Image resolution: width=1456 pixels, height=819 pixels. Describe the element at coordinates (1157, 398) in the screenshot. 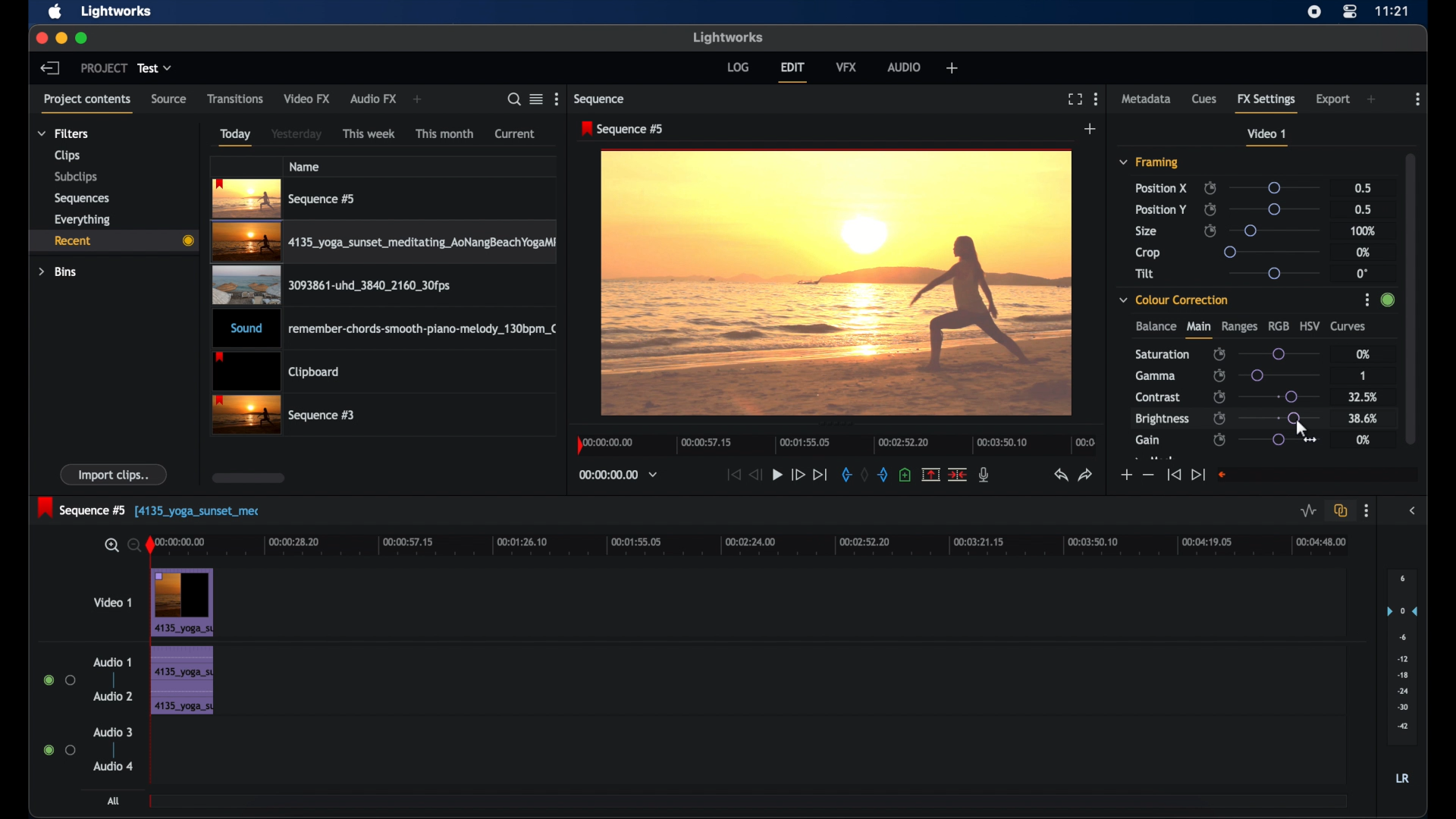

I see `contrast` at that location.